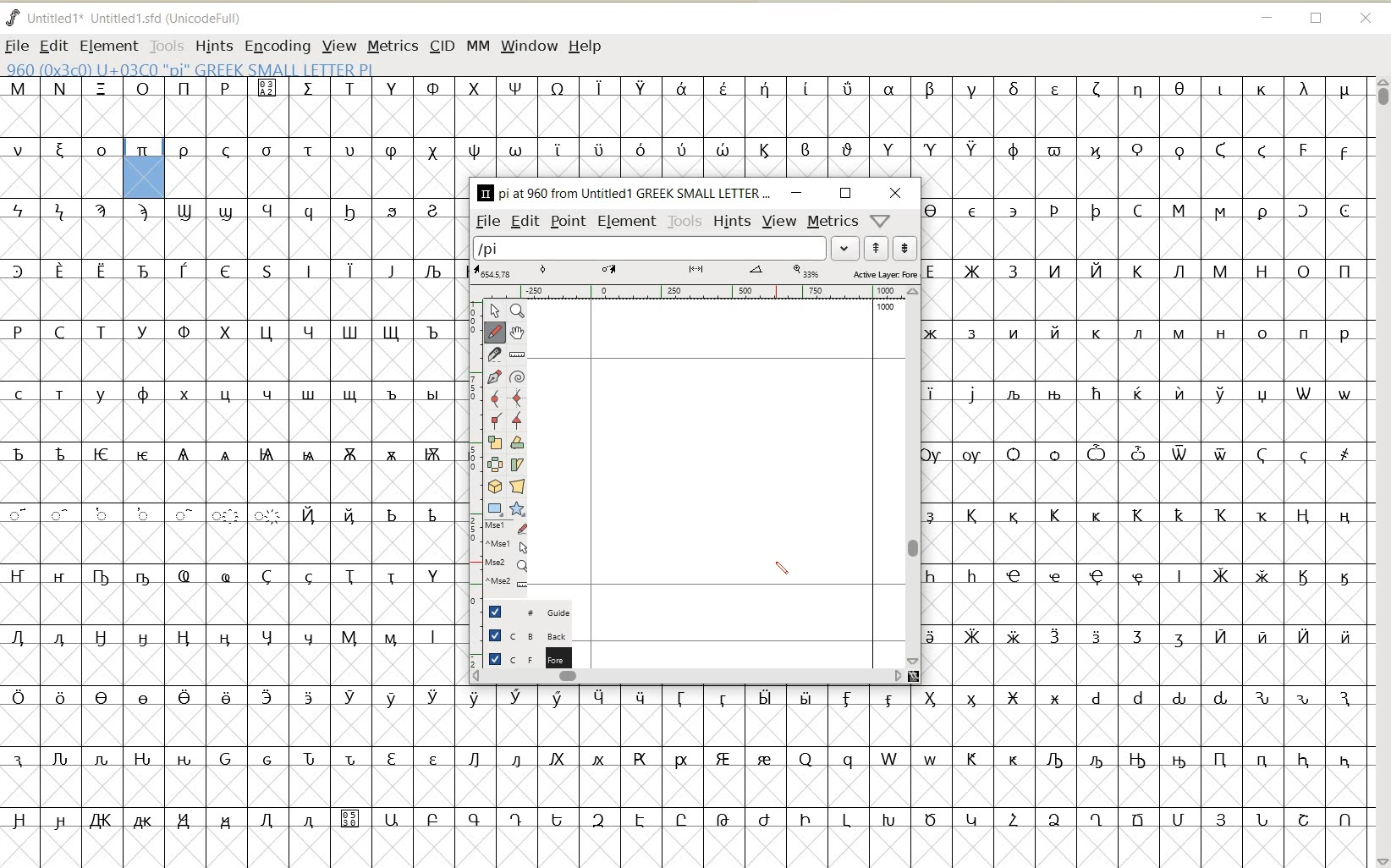 The width and height of the screenshot is (1391, 868). Describe the element at coordinates (914, 125) in the screenshot. I see `glyph characters` at that location.